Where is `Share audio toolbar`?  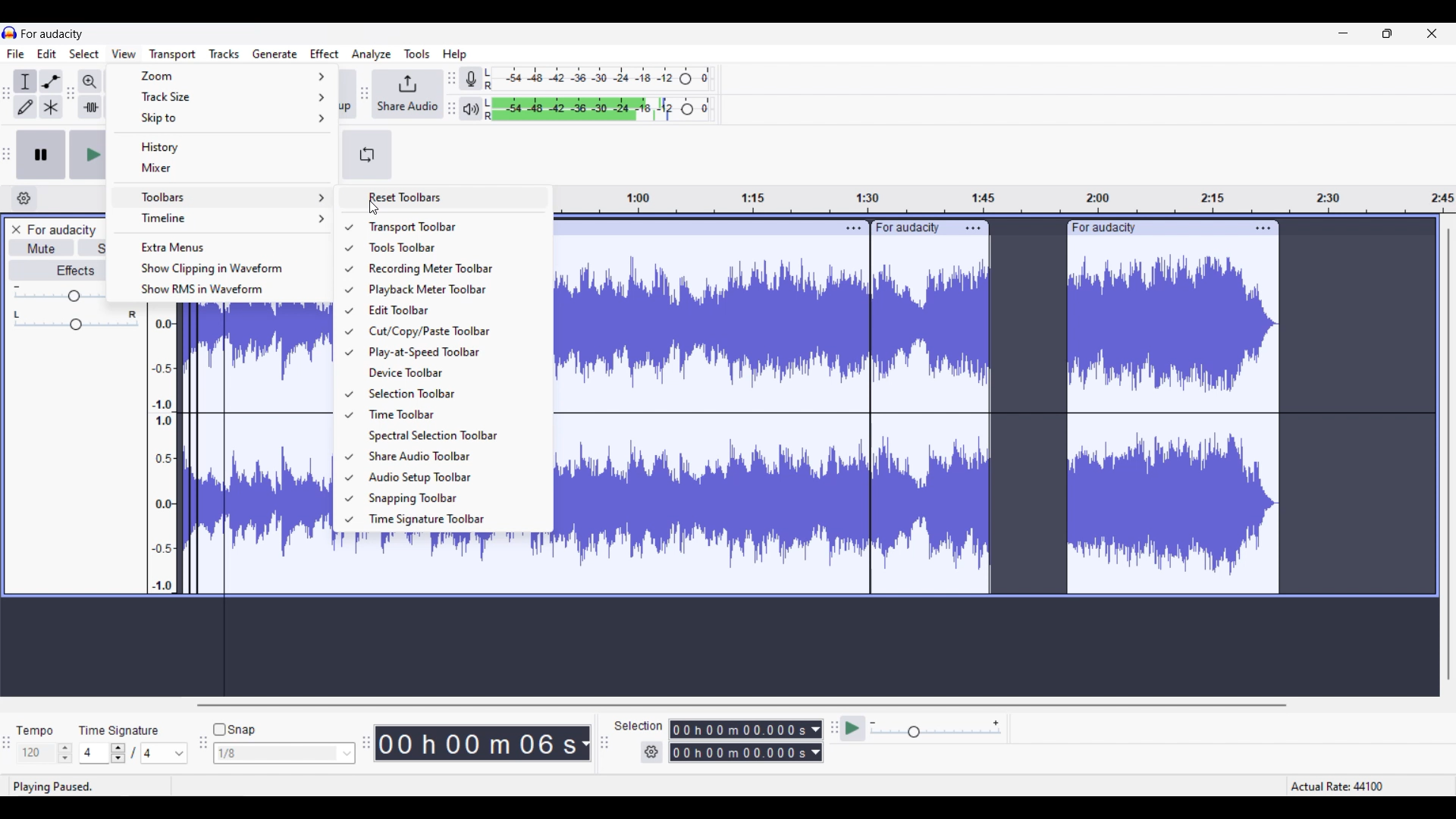
Share audio toolbar is located at coordinates (450, 456).